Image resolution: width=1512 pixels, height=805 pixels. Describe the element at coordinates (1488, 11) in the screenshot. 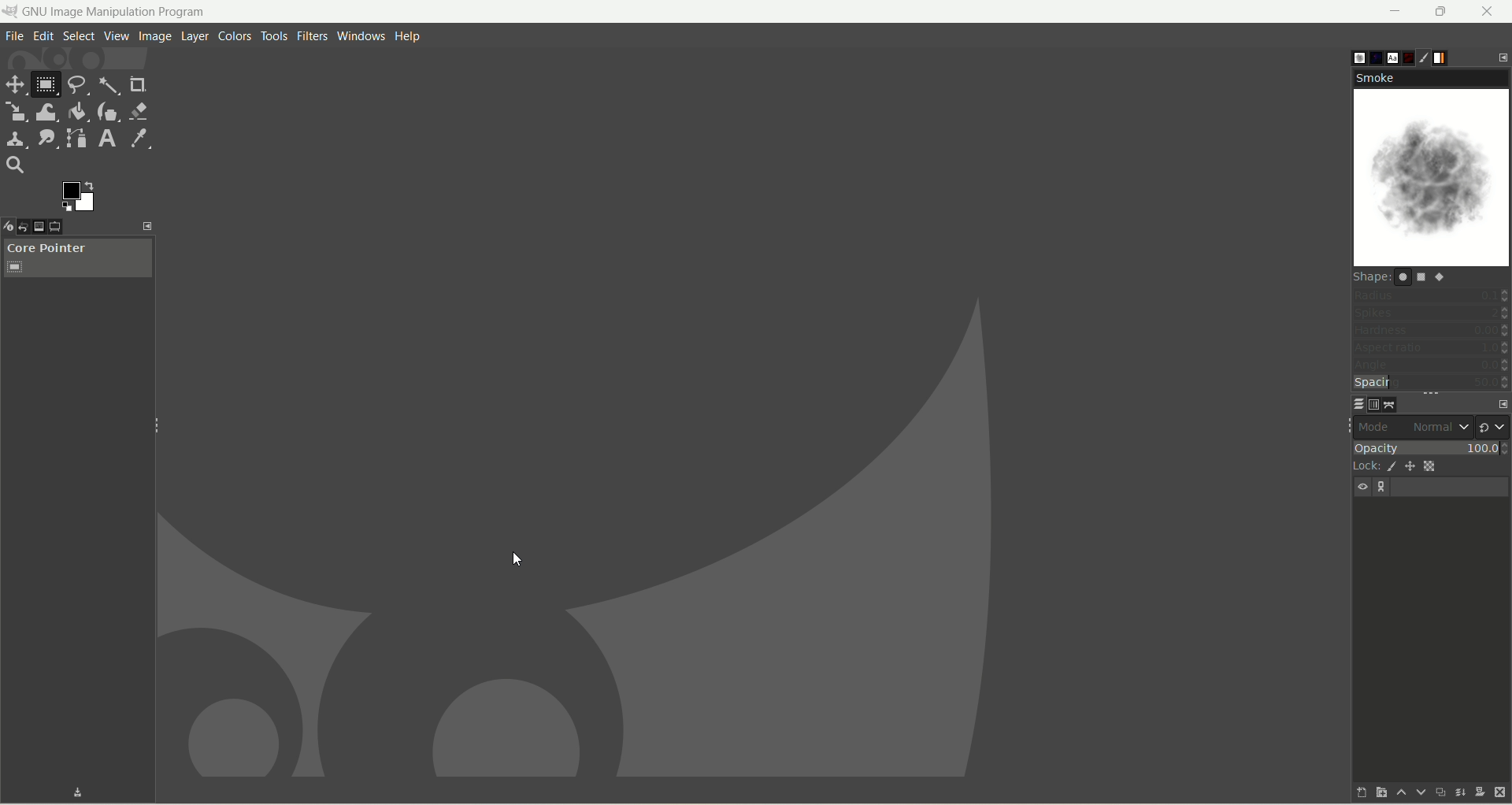

I see `close` at that location.